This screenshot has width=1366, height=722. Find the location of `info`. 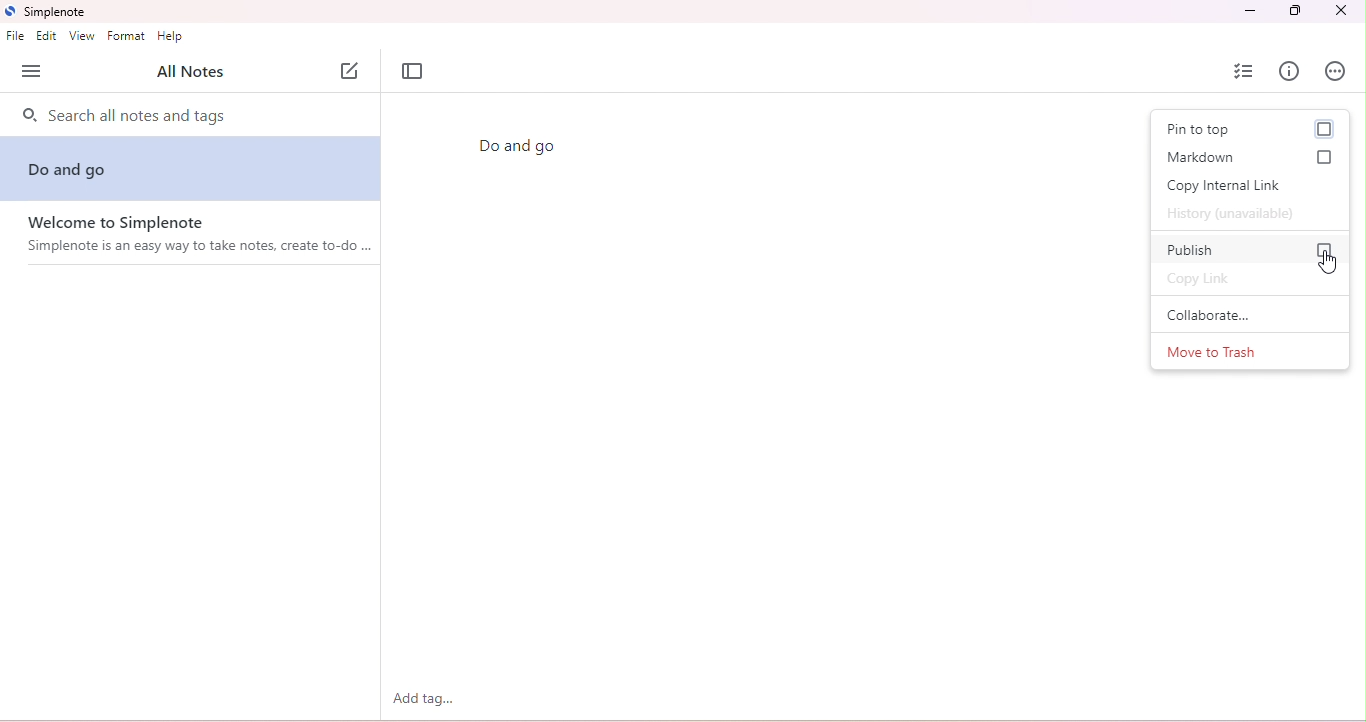

info is located at coordinates (1293, 70).